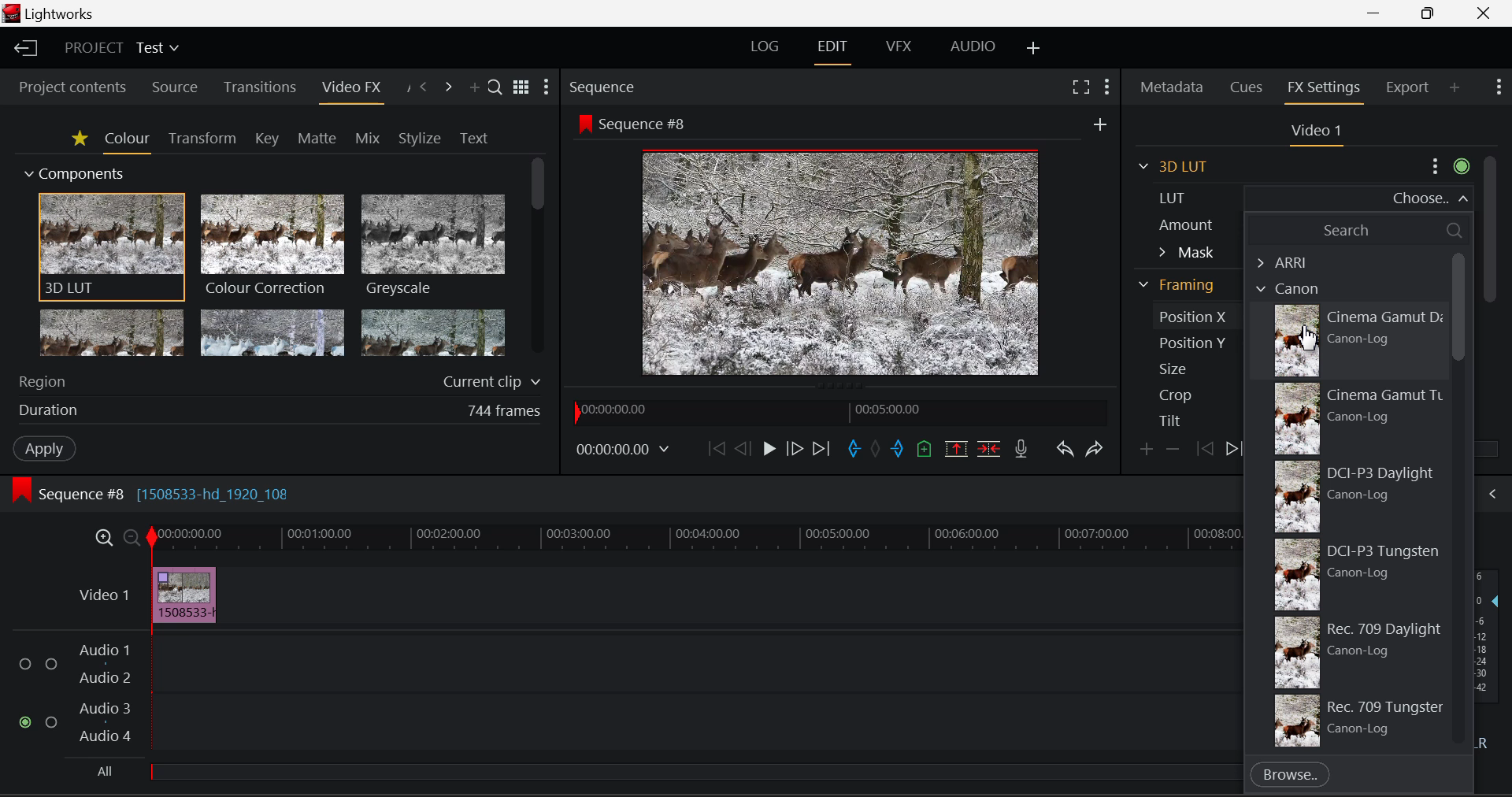  I want to click on Text, so click(472, 139).